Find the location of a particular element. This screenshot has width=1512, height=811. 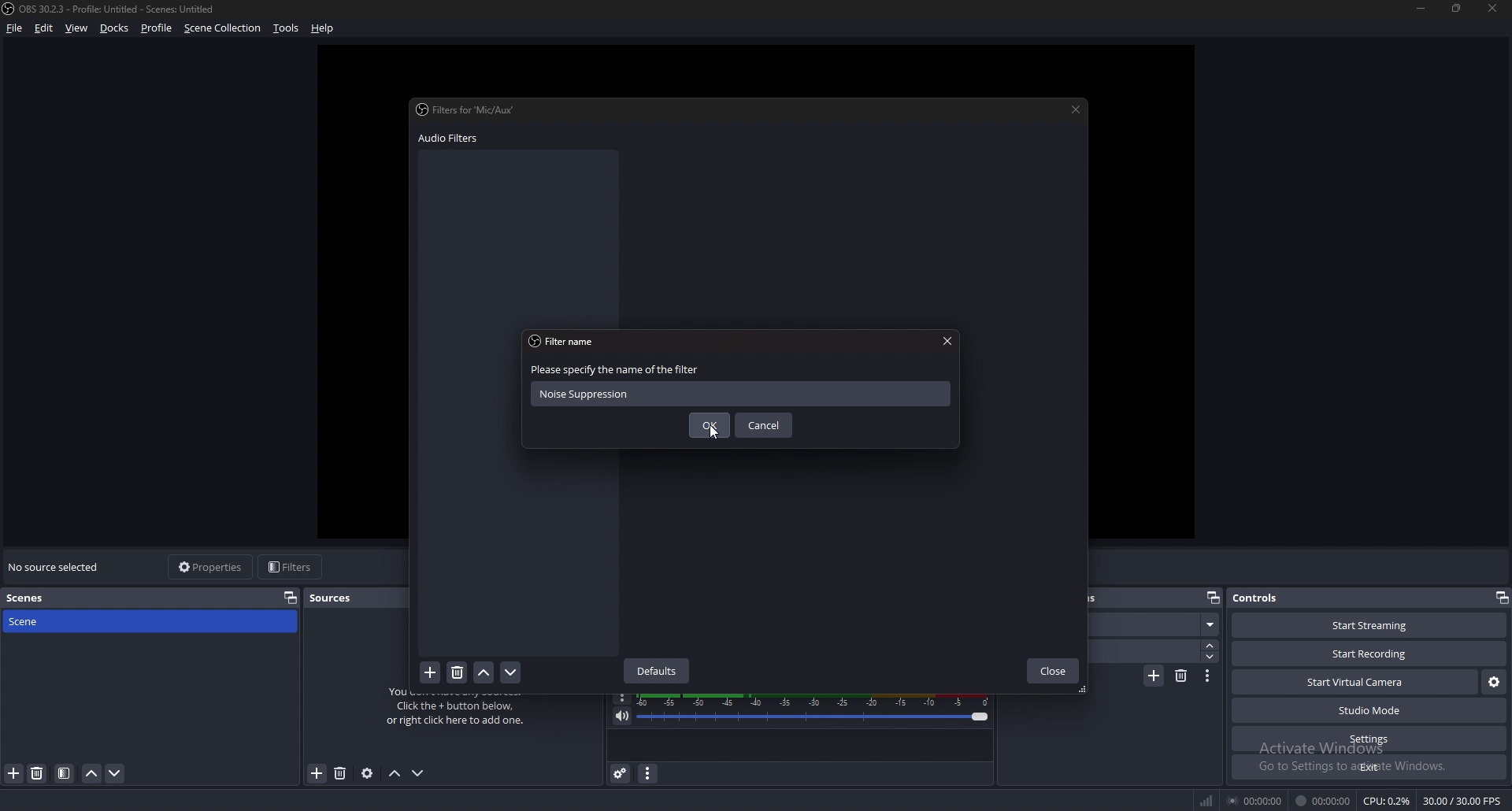

transition properties is located at coordinates (1210, 676).